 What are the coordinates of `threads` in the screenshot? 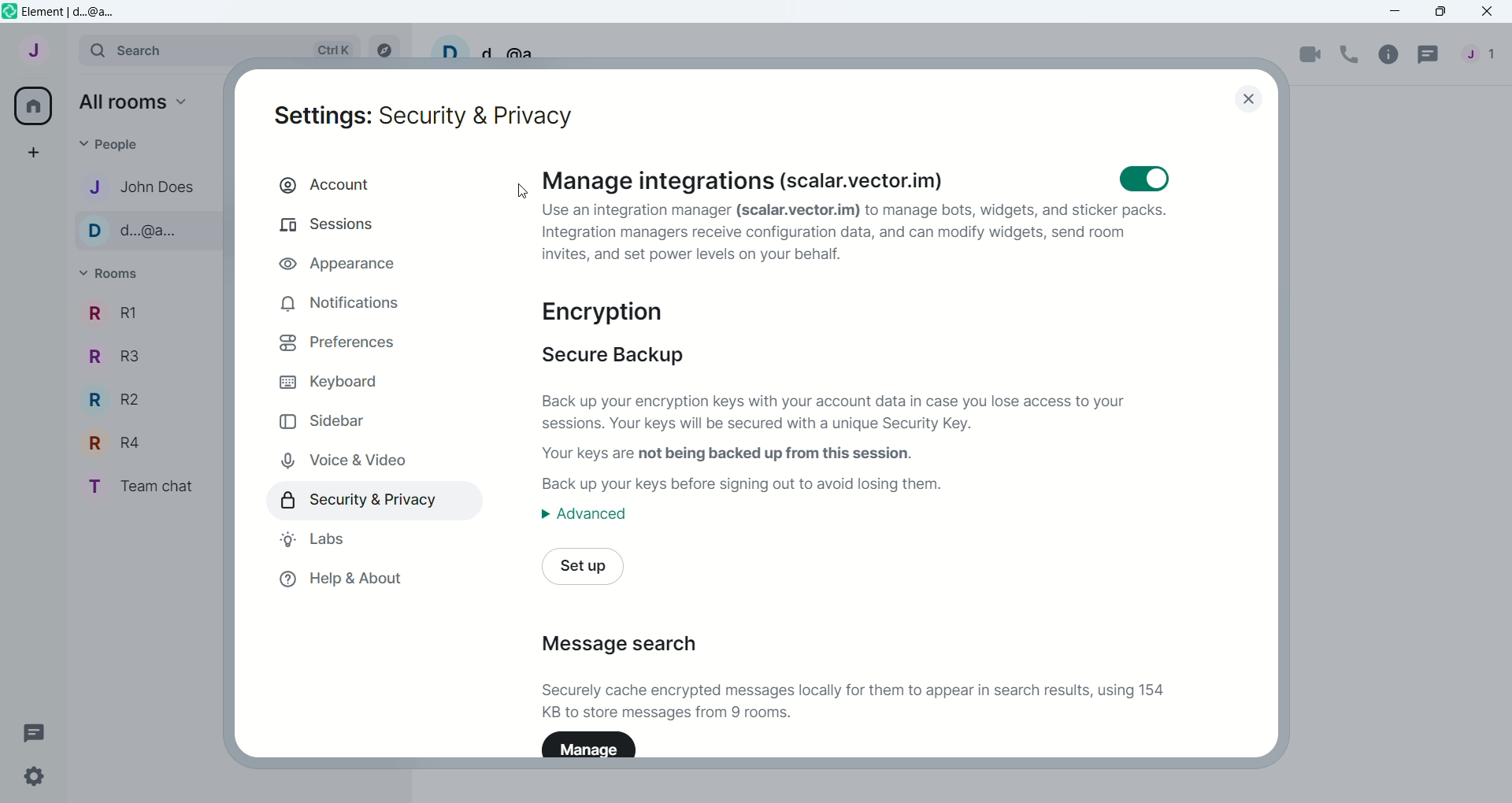 It's located at (39, 732).